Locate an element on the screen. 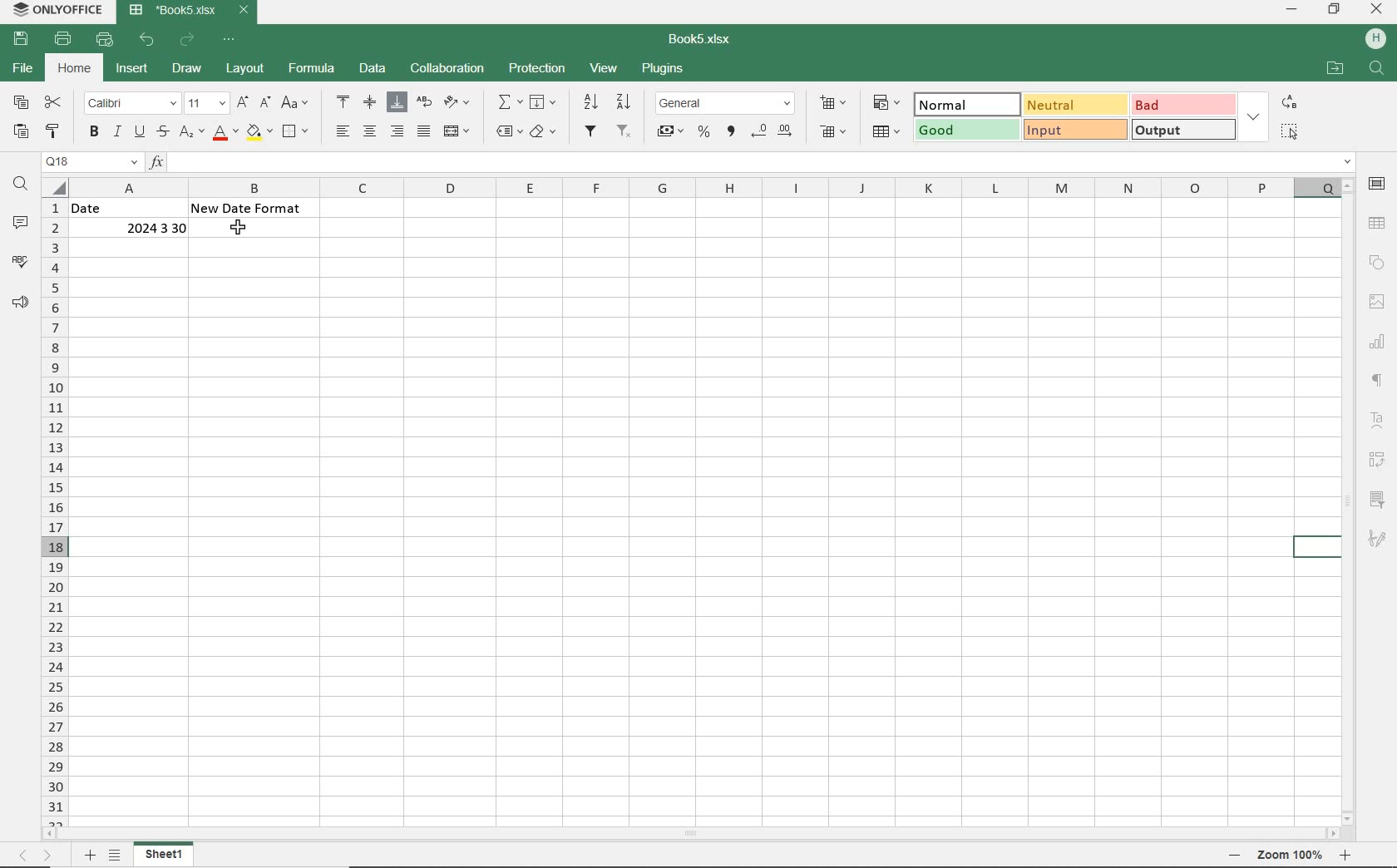 The width and height of the screenshot is (1397, 868). ROWS is located at coordinates (52, 501).